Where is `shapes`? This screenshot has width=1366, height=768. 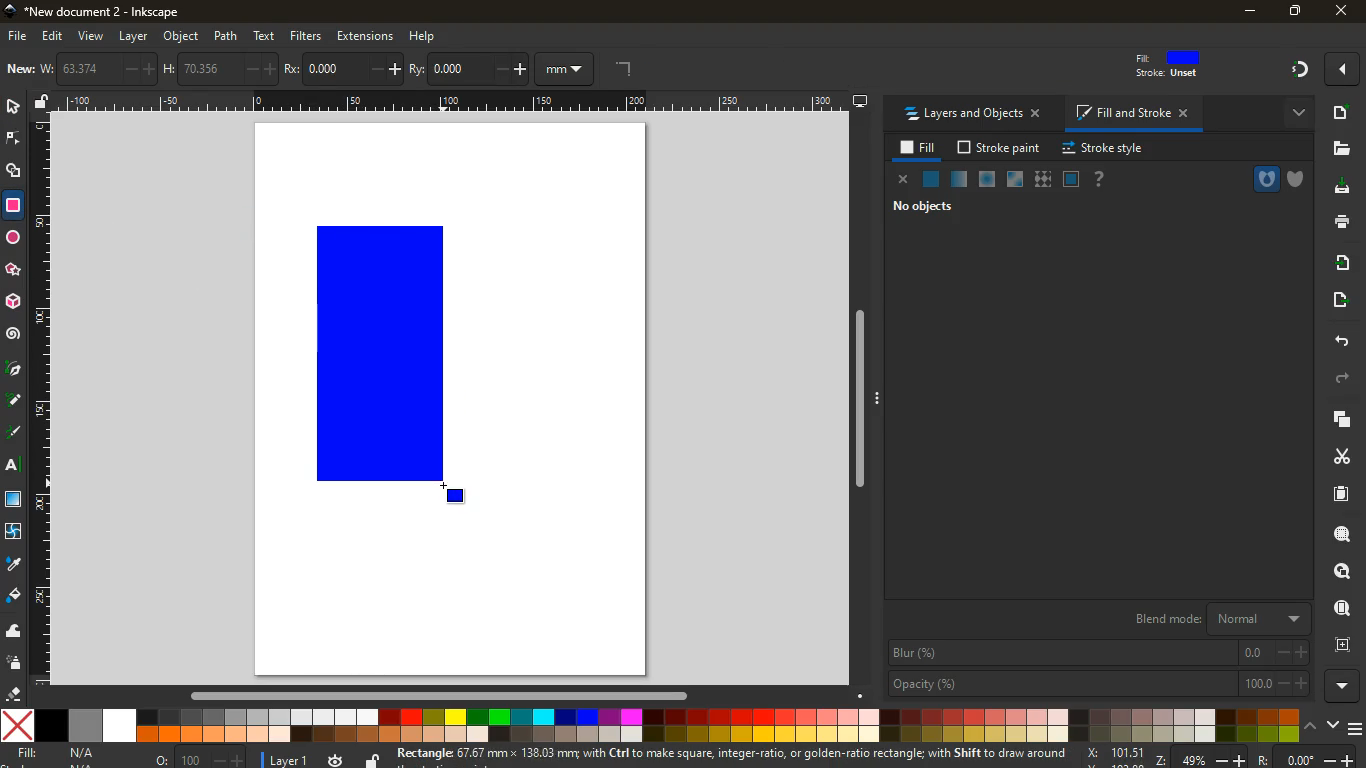 shapes is located at coordinates (15, 173).